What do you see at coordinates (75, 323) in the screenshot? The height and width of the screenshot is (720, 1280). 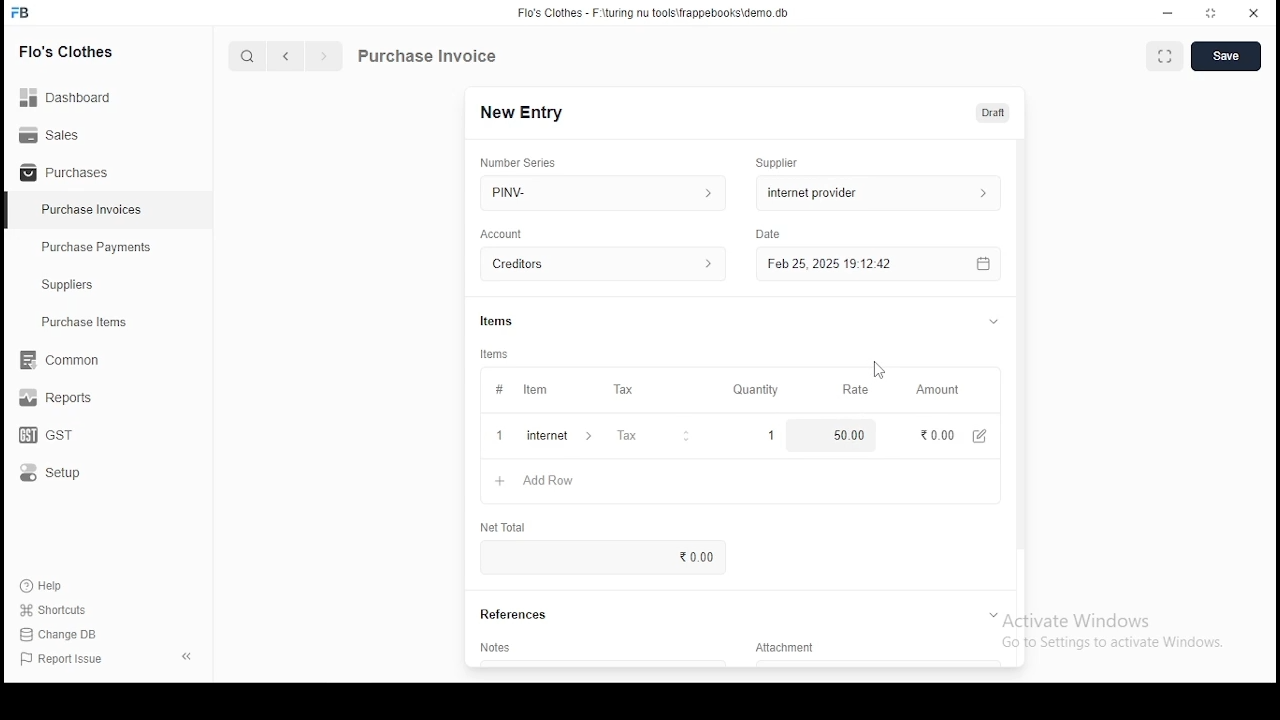 I see `Purchase ltems` at bounding box center [75, 323].